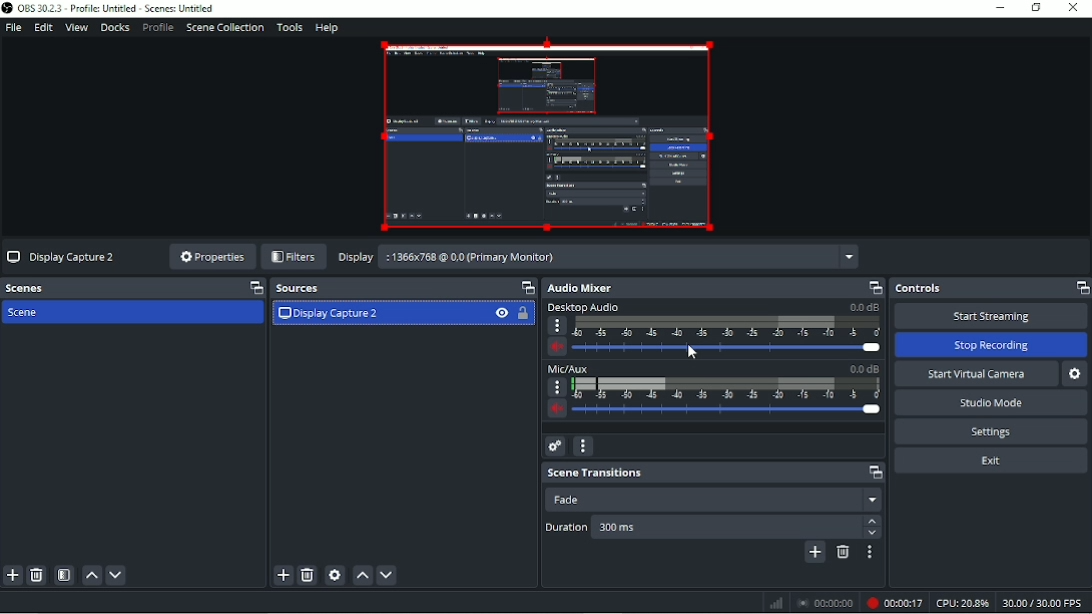 The width and height of the screenshot is (1092, 614). I want to click on Sources, so click(403, 288).